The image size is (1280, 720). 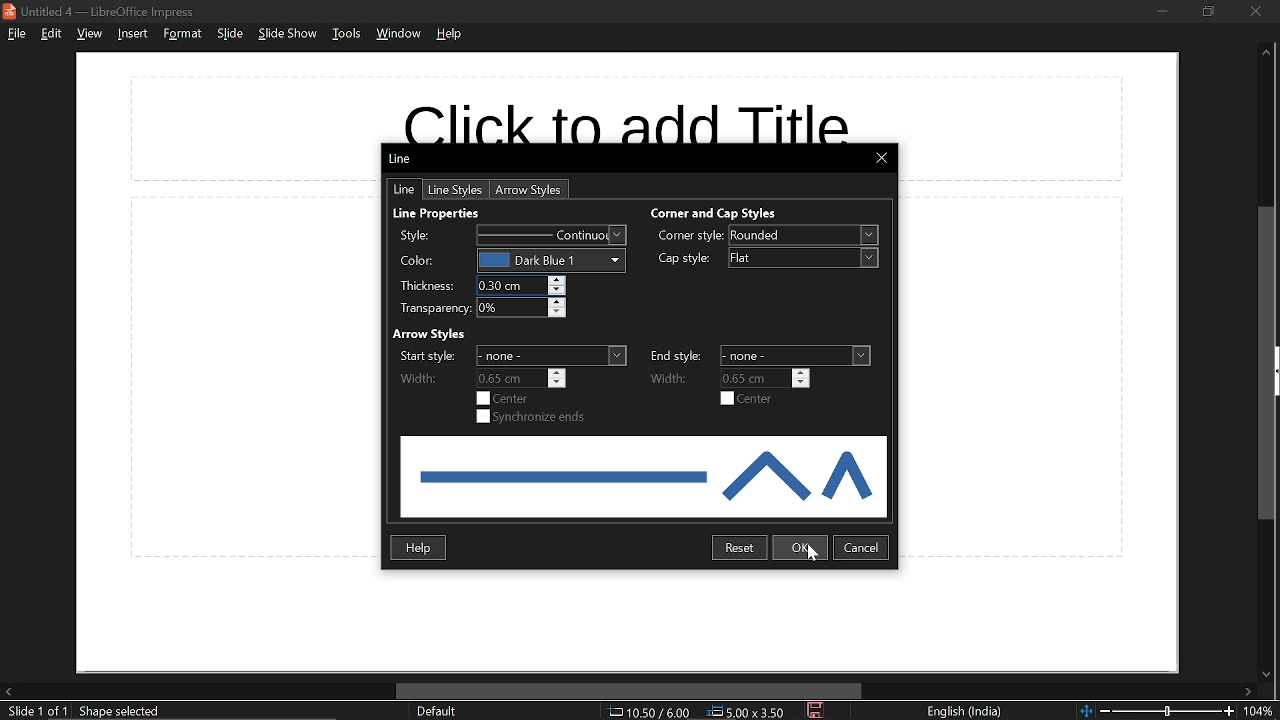 I want to click on start center, so click(x=503, y=398).